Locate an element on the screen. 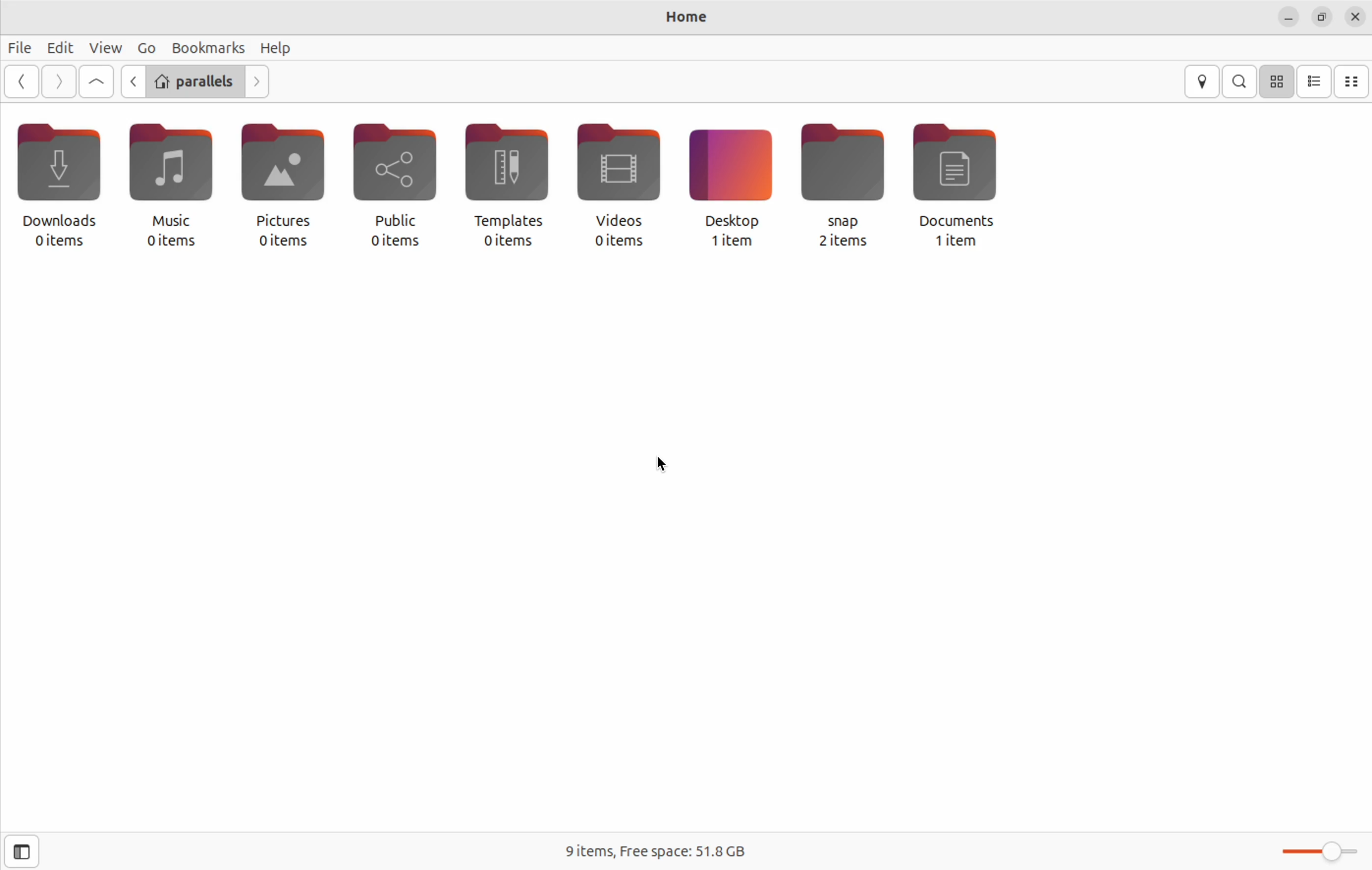 Image resolution: width=1372 pixels, height=870 pixels. next is located at coordinates (260, 81).